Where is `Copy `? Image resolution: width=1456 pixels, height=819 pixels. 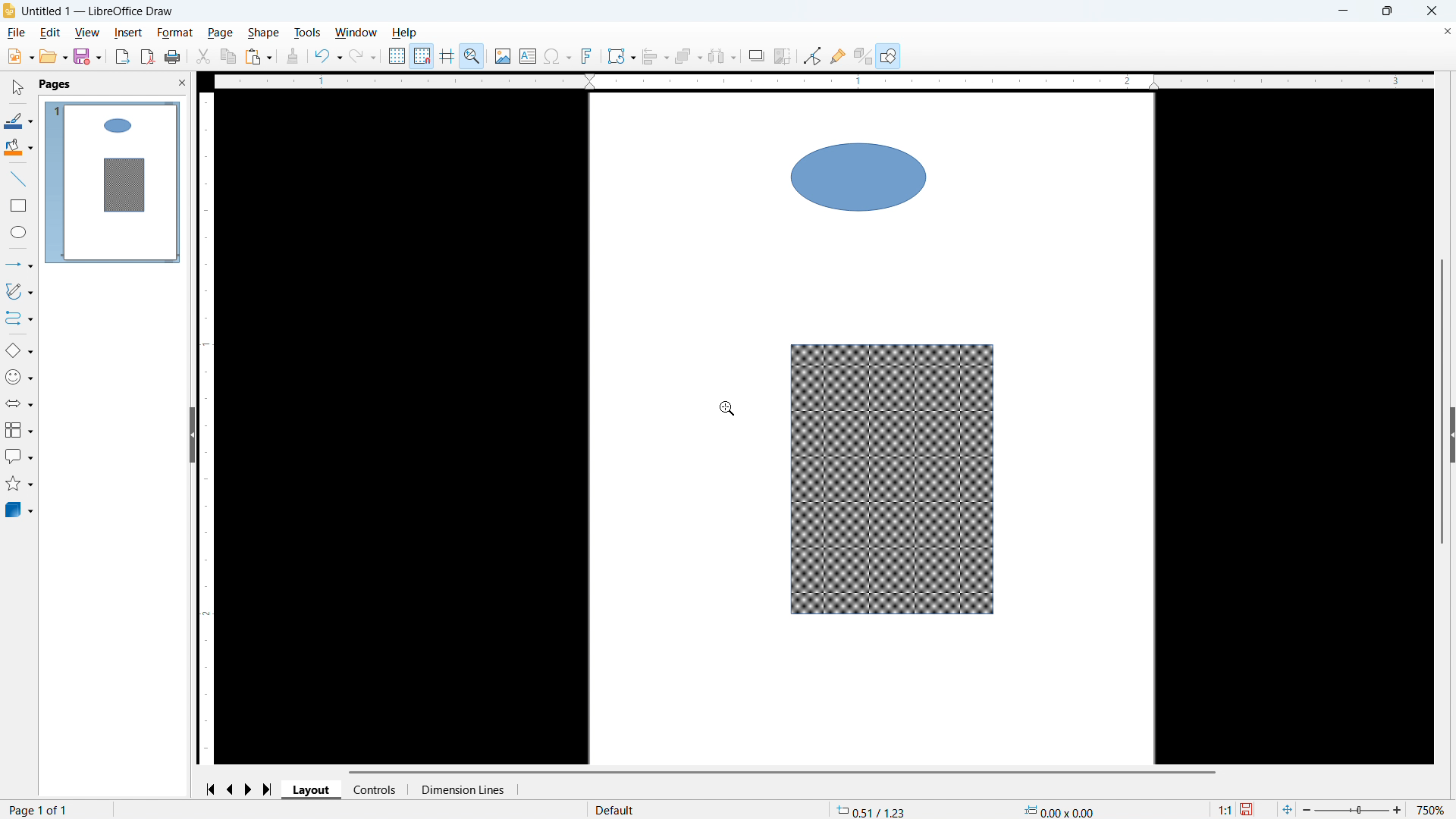
Copy  is located at coordinates (227, 56).